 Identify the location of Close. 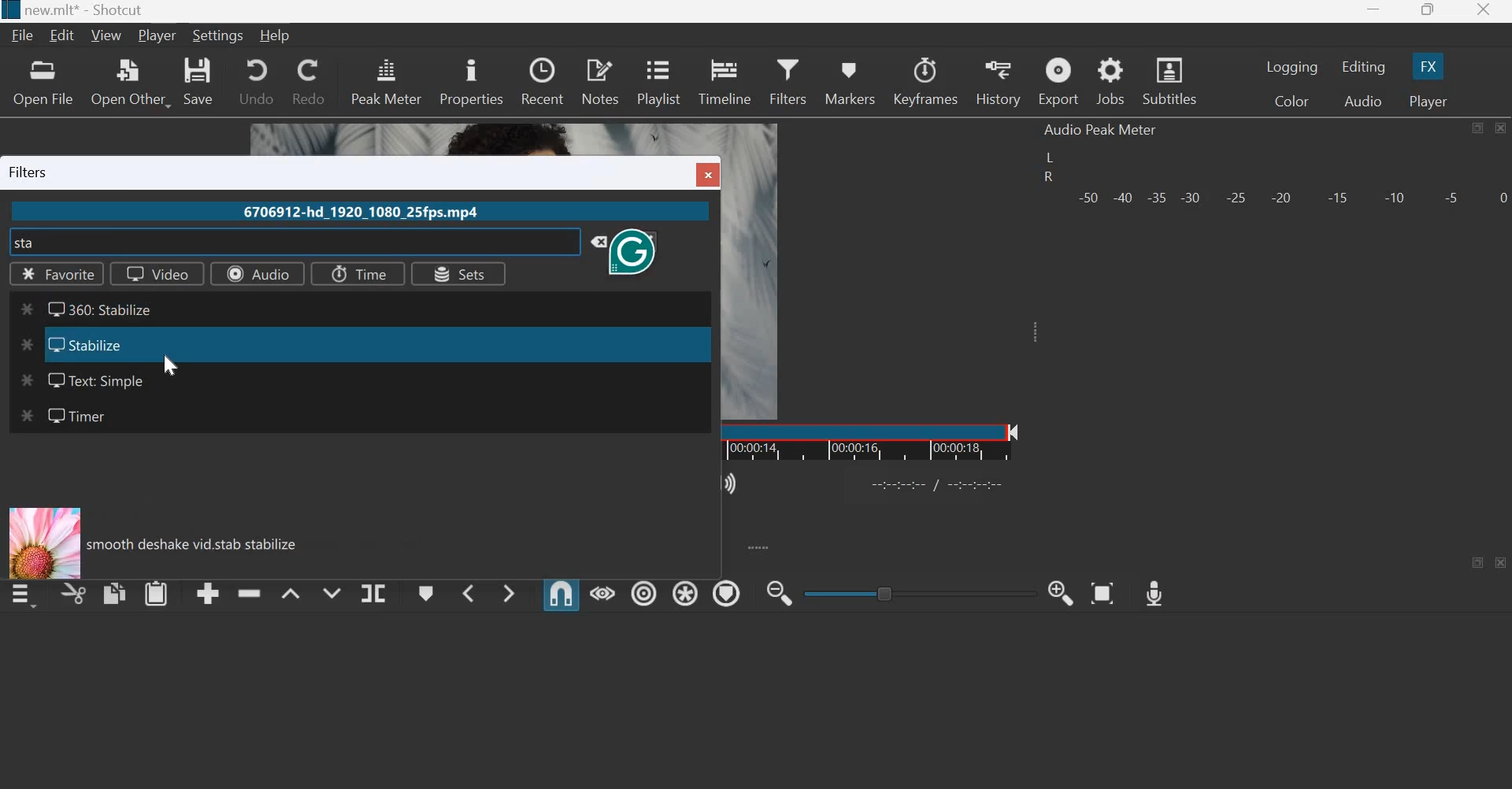
(1502, 128).